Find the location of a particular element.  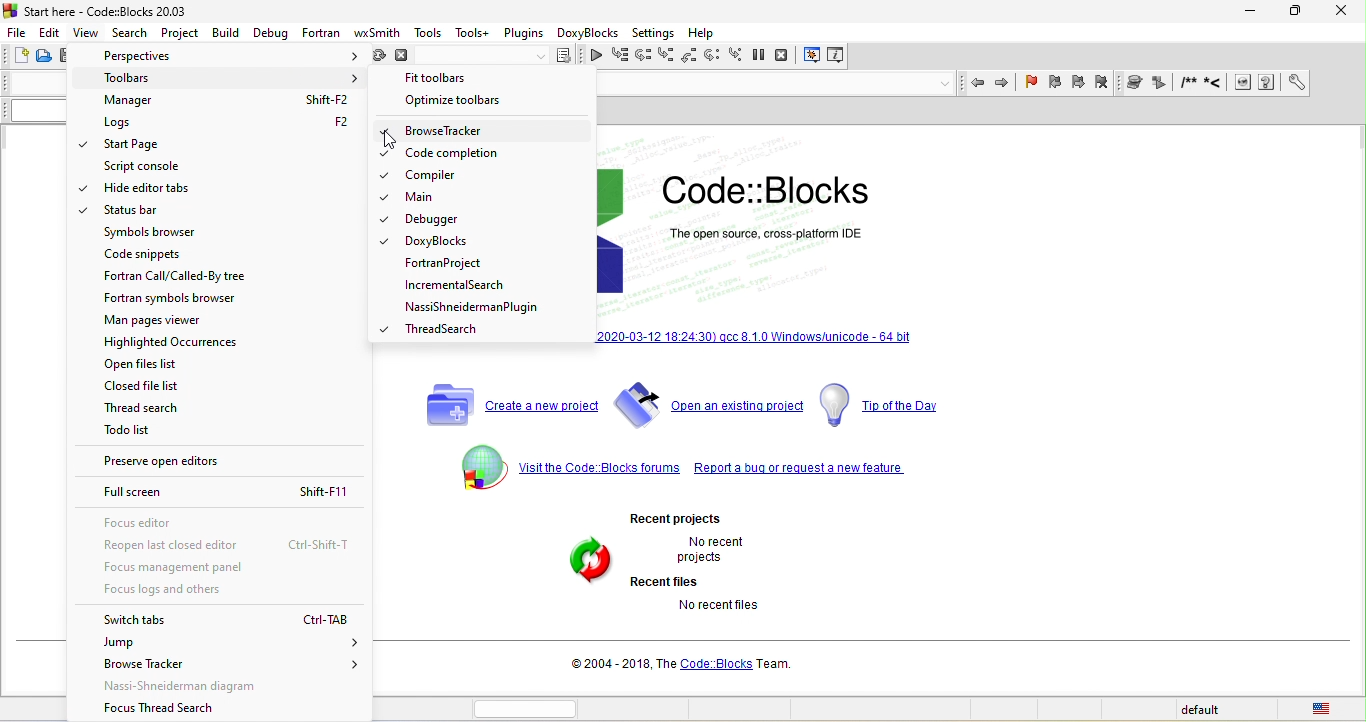

view is located at coordinates (87, 34).